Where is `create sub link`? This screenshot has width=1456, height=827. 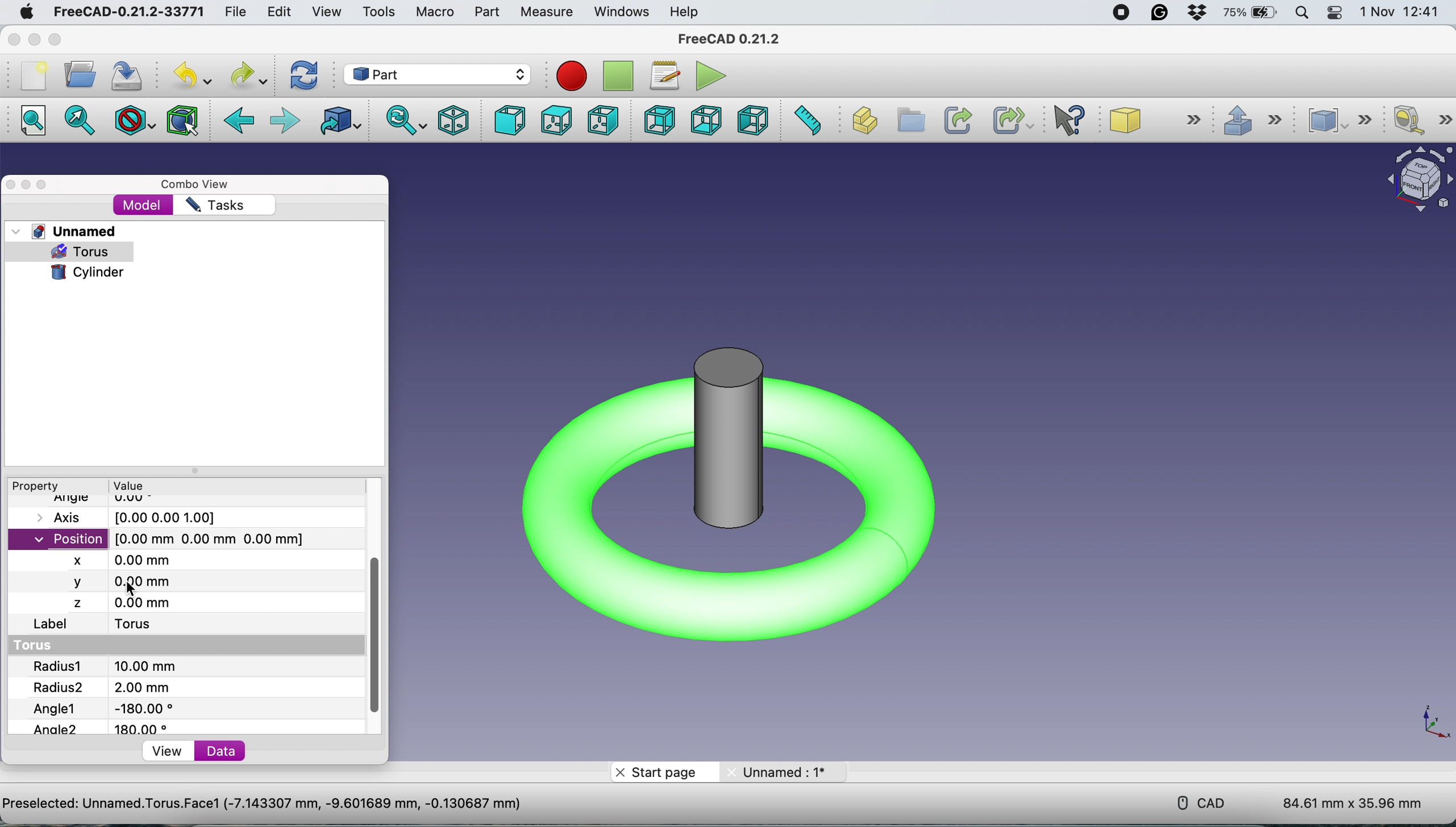 create sub link is located at coordinates (1009, 121).